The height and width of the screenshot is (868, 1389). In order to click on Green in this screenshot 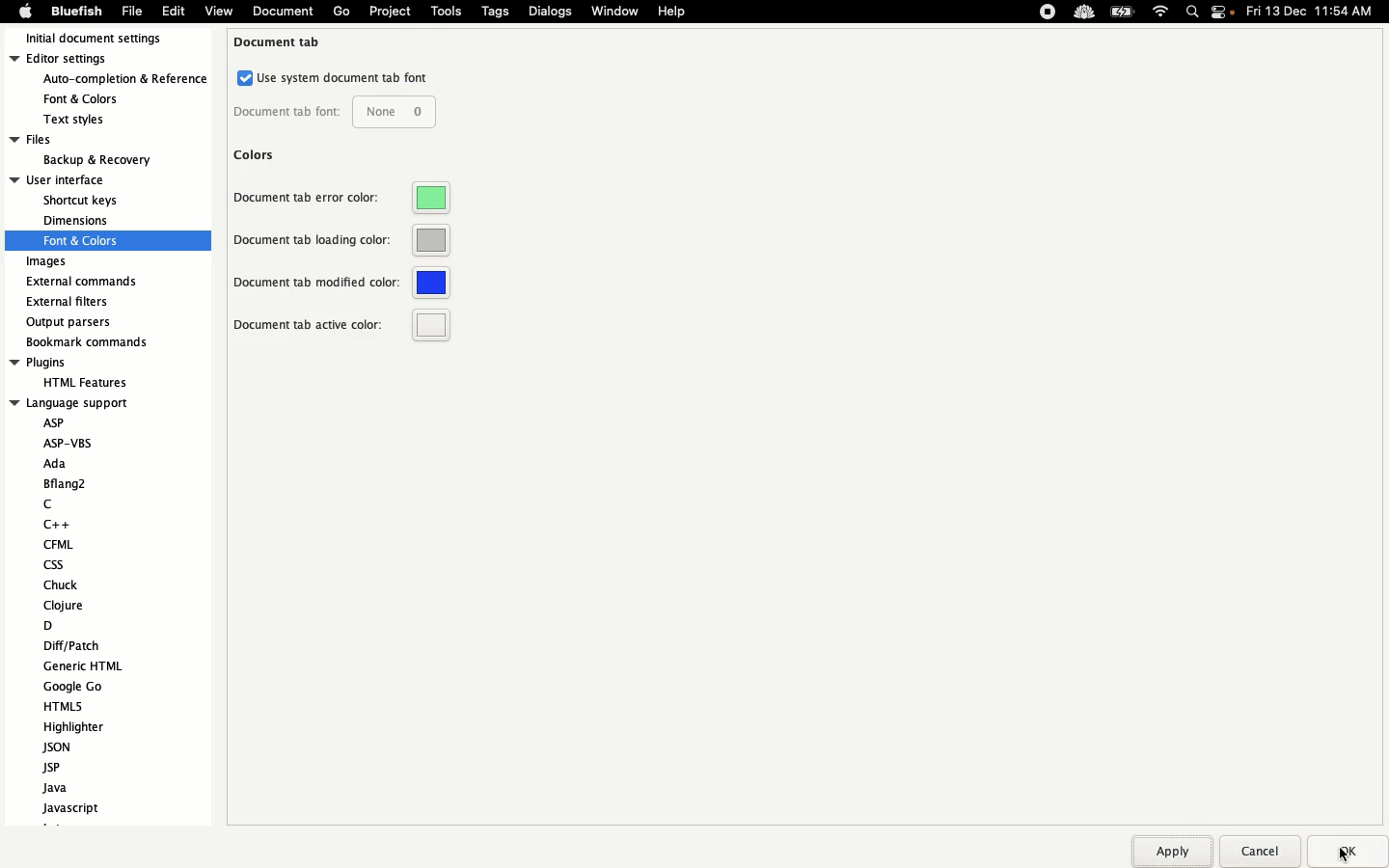, I will do `click(429, 202)`.